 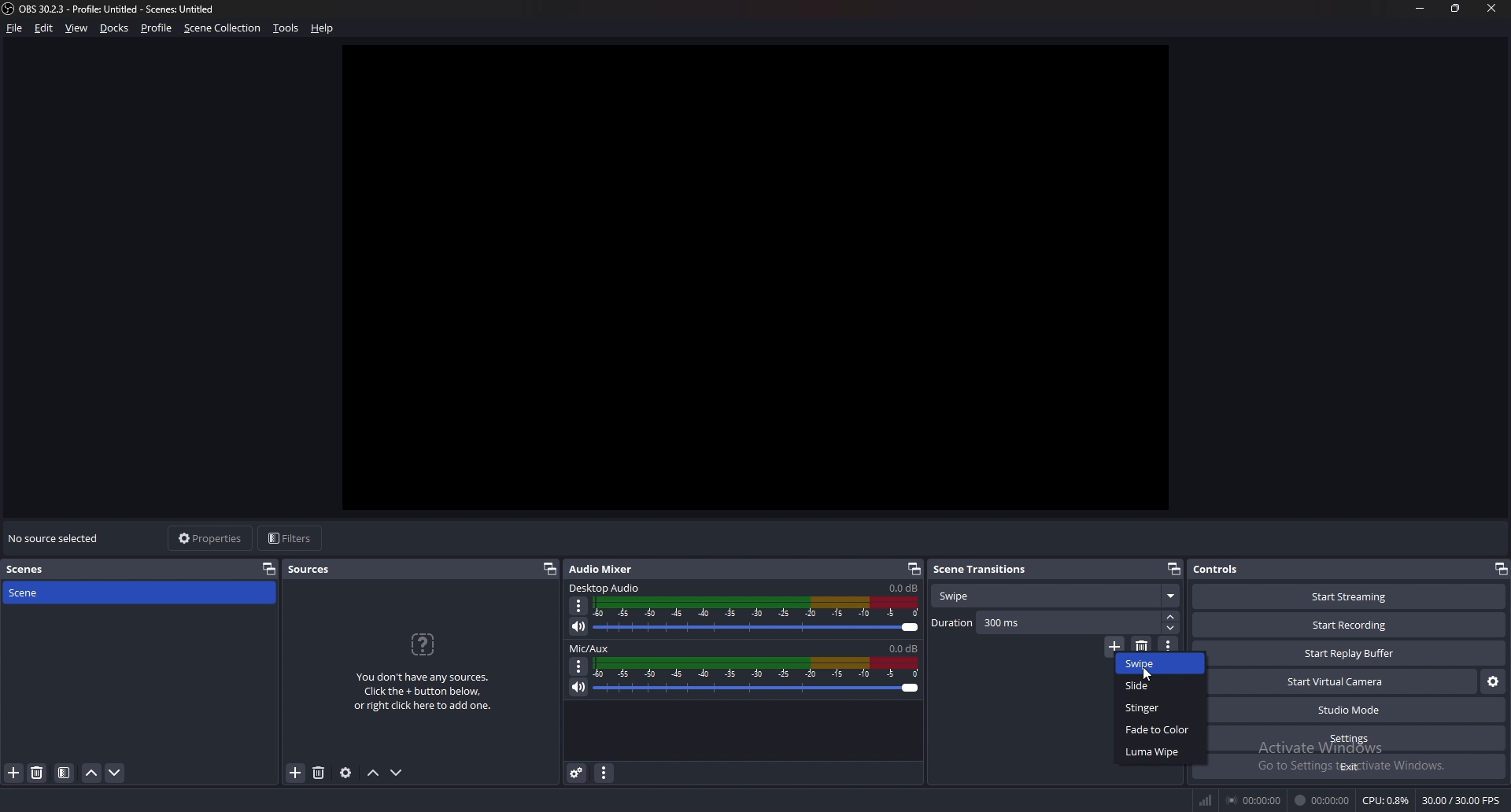 What do you see at coordinates (605, 773) in the screenshot?
I see `audio mixer properties` at bounding box center [605, 773].